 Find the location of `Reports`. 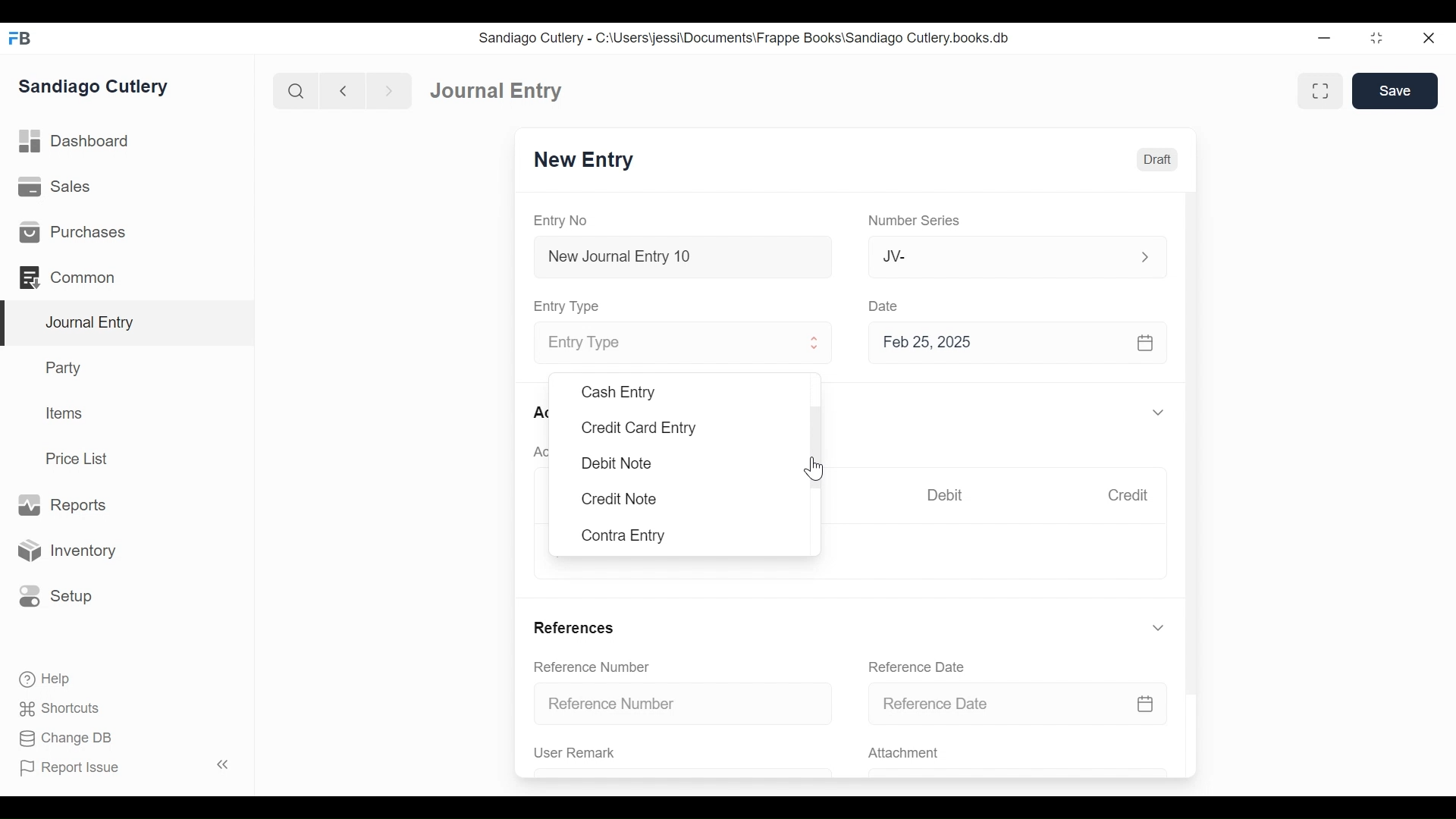

Reports is located at coordinates (61, 504).